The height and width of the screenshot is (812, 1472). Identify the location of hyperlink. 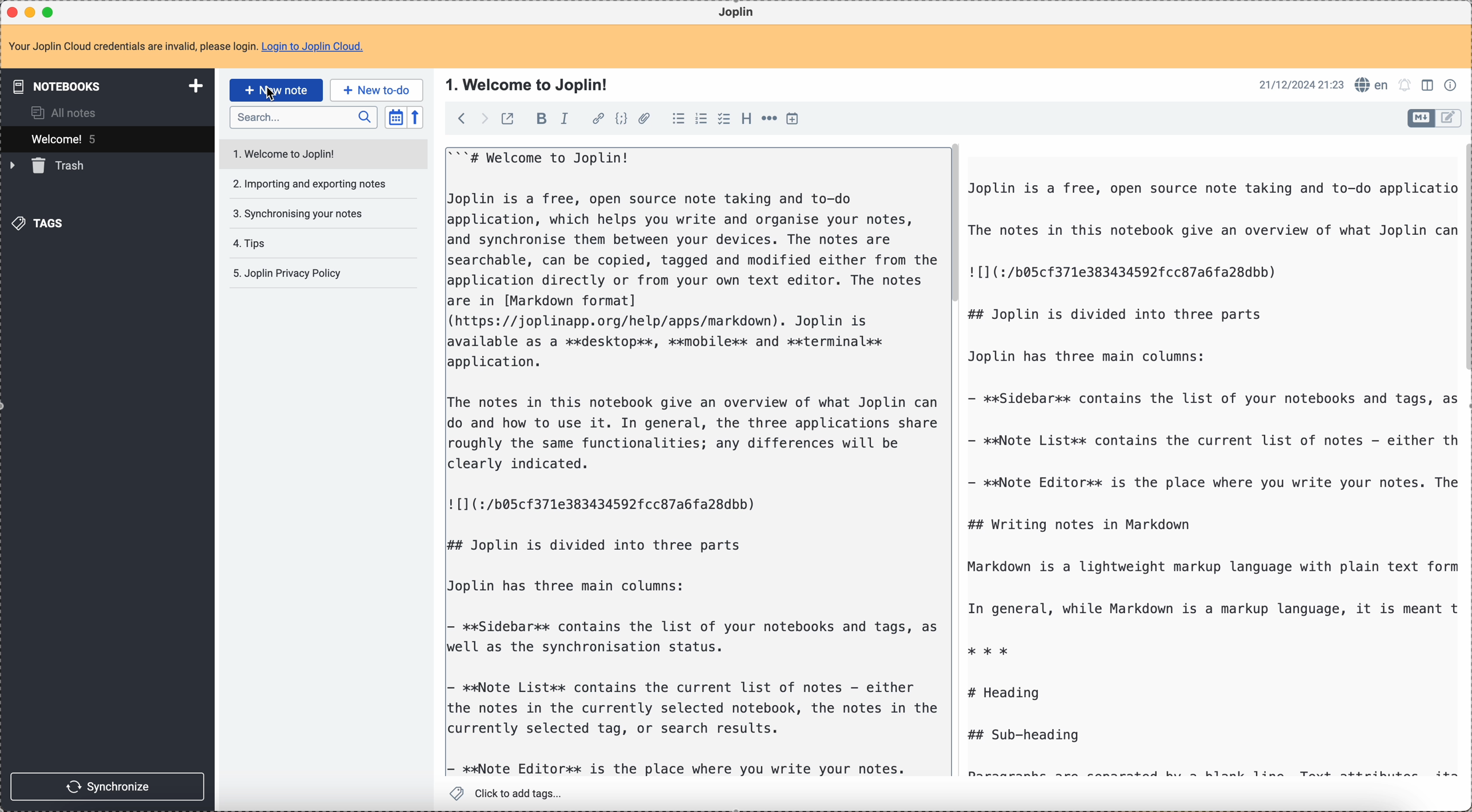
(598, 119).